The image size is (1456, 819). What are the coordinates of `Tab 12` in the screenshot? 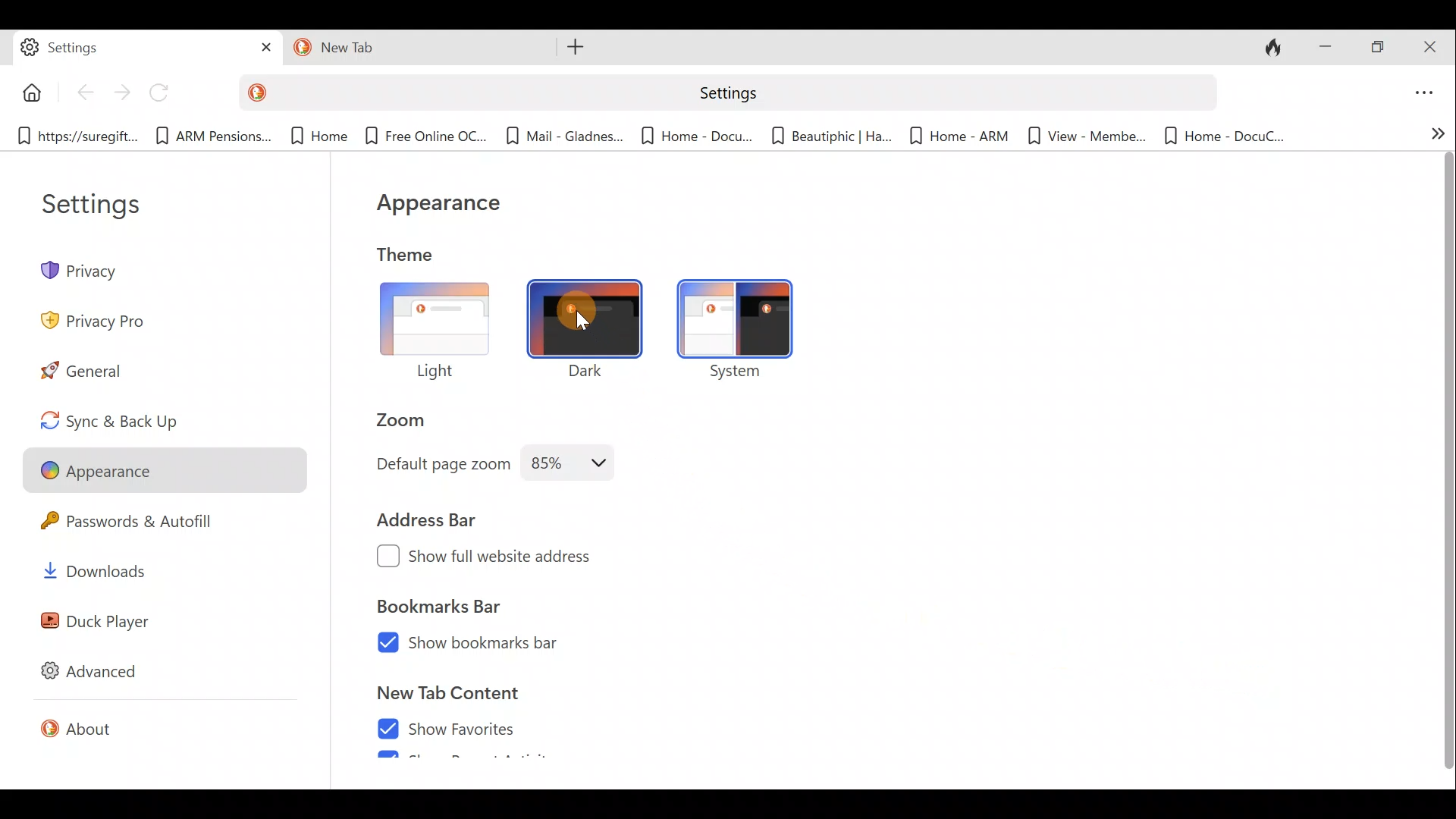 It's located at (431, 51).